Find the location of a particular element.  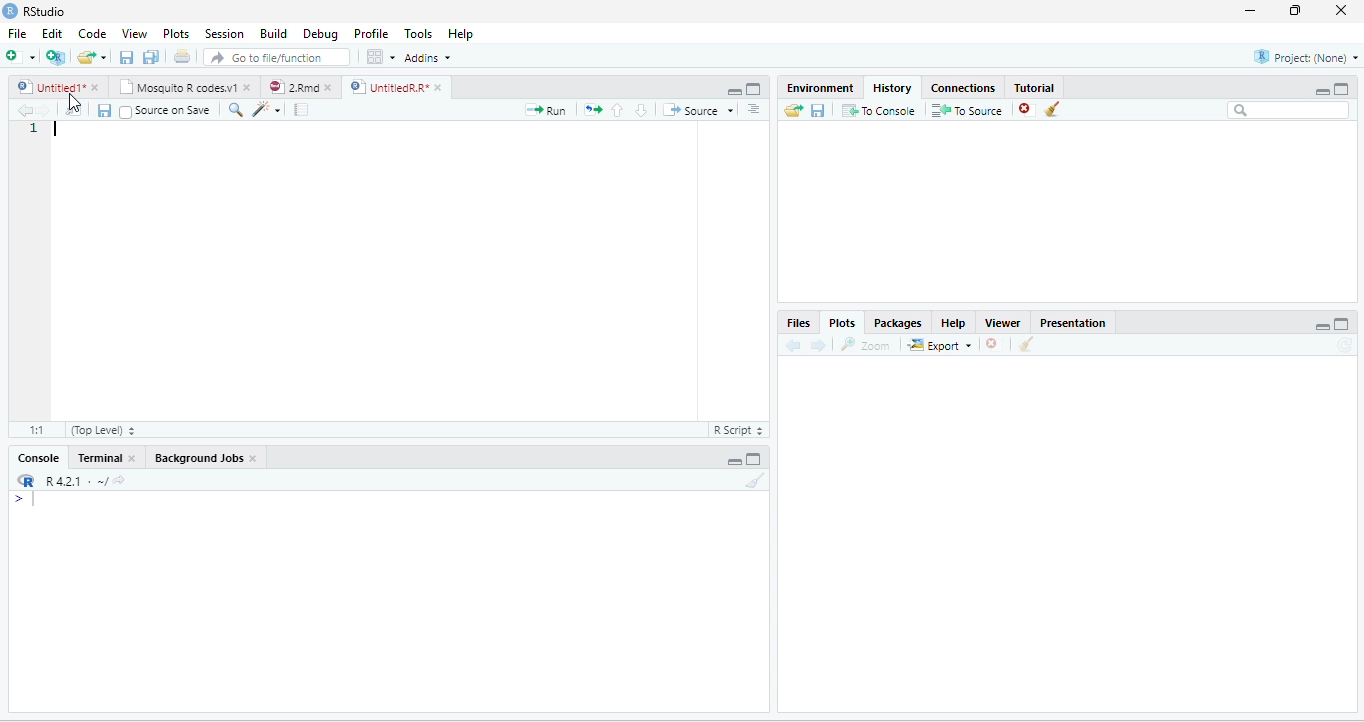

Project: (None) is located at coordinates (1305, 57).